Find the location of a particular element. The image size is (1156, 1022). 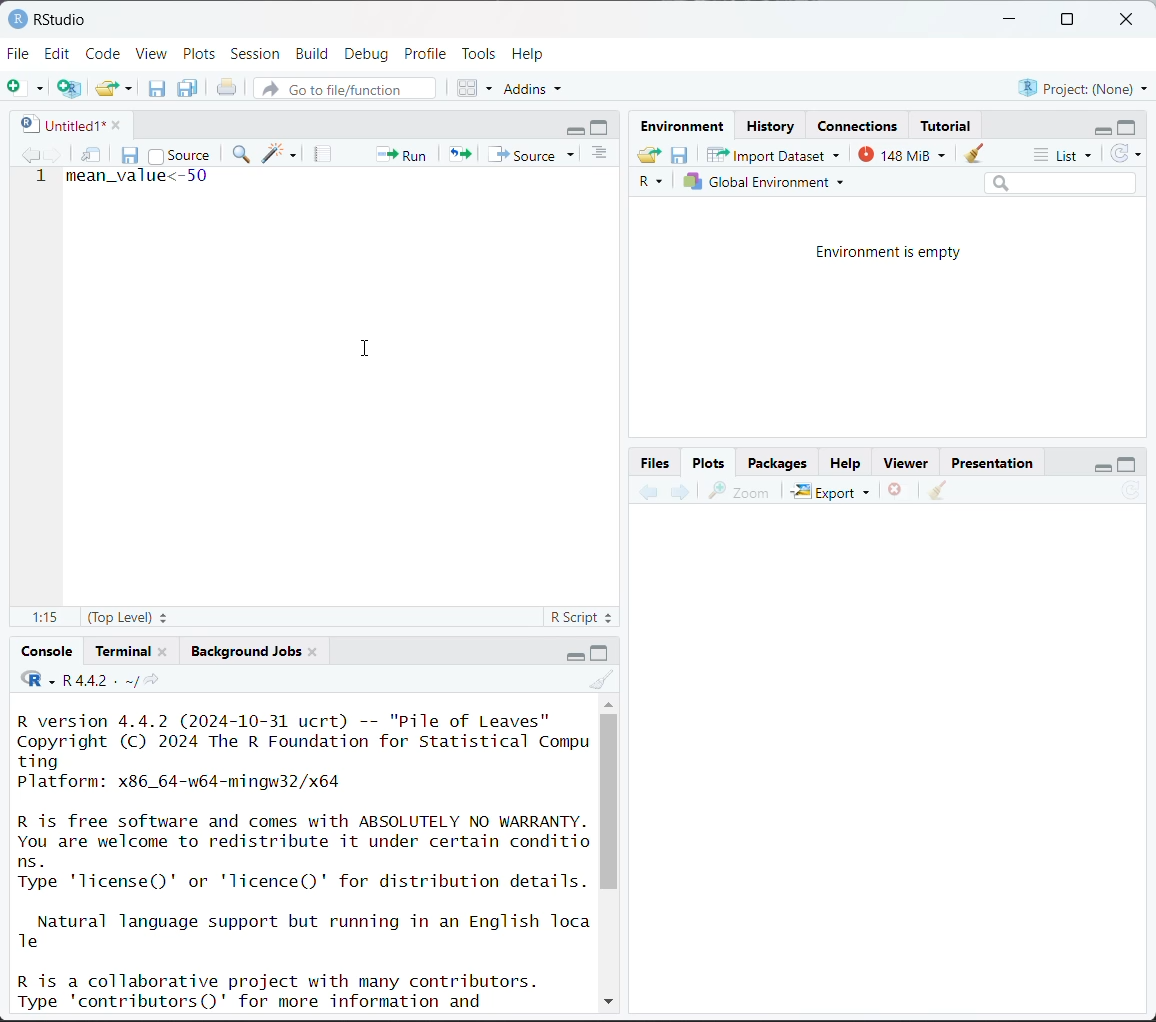

view the current working directory is located at coordinates (151, 680).